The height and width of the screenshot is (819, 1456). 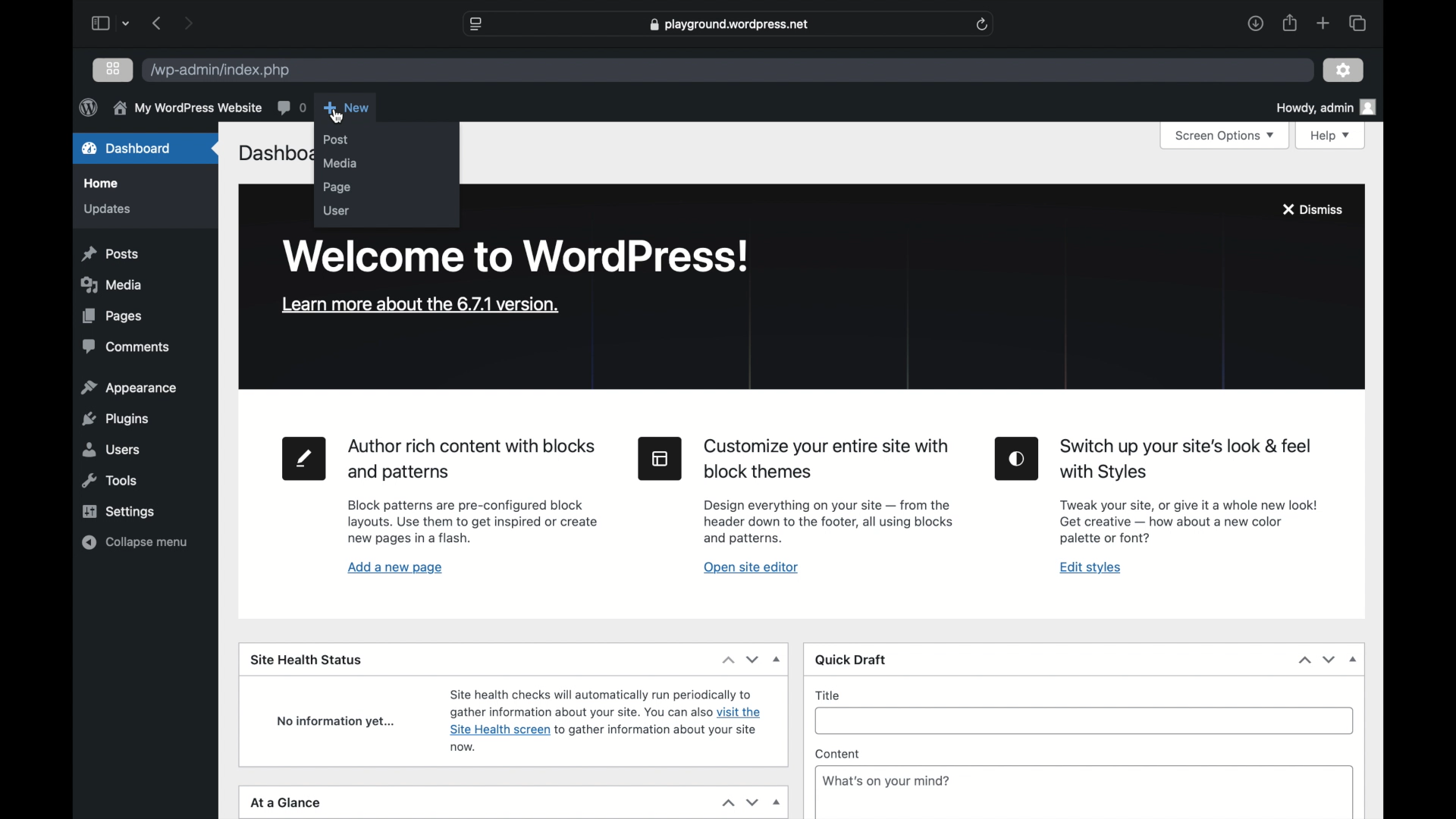 What do you see at coordinates (110, 480) in the screenshot?
I see `tools` at bounding box center [110, 480].